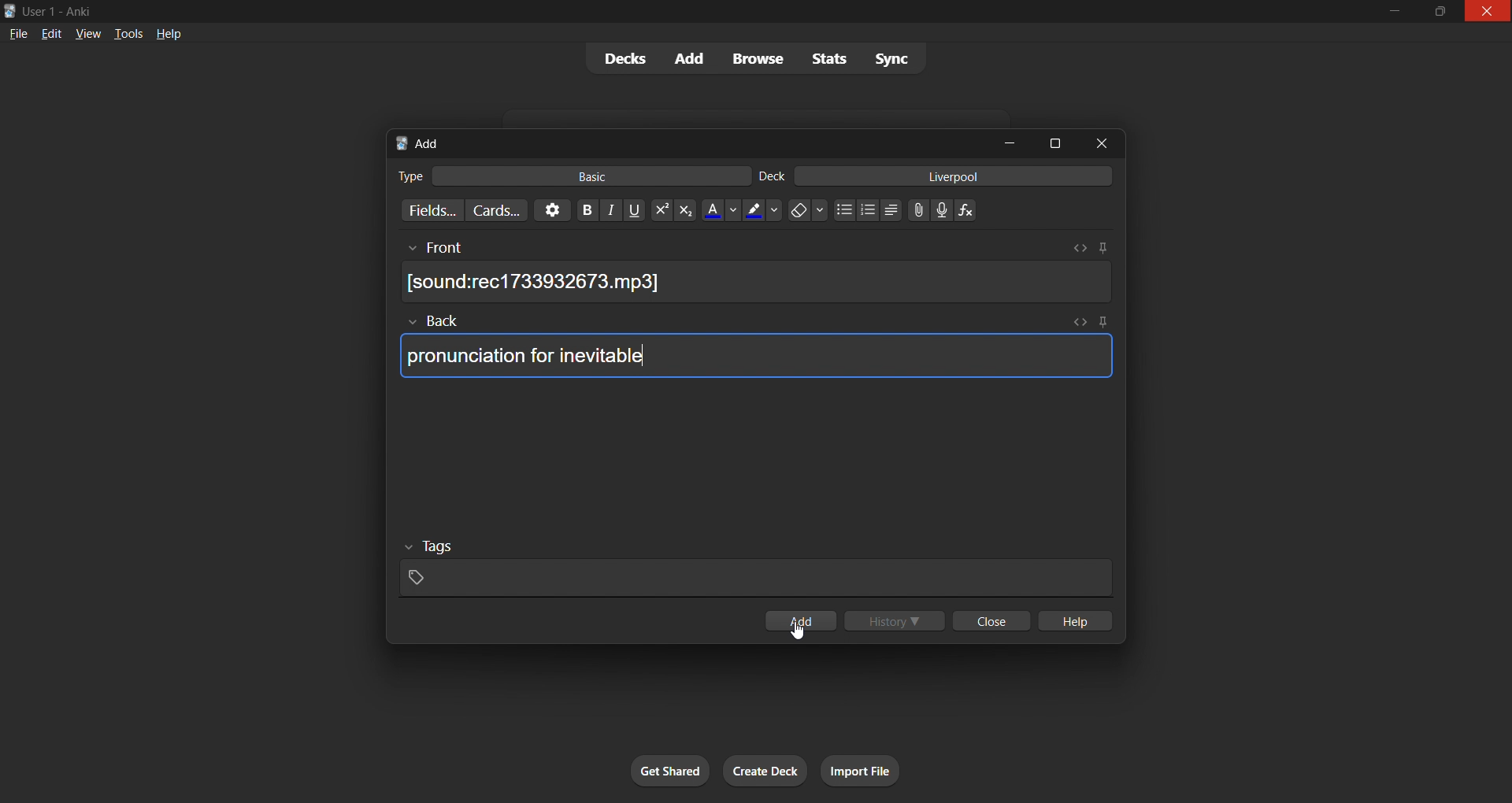  Describe the element at coordinates (762, 211) in the screenshot. I see `font highlight` at that location.